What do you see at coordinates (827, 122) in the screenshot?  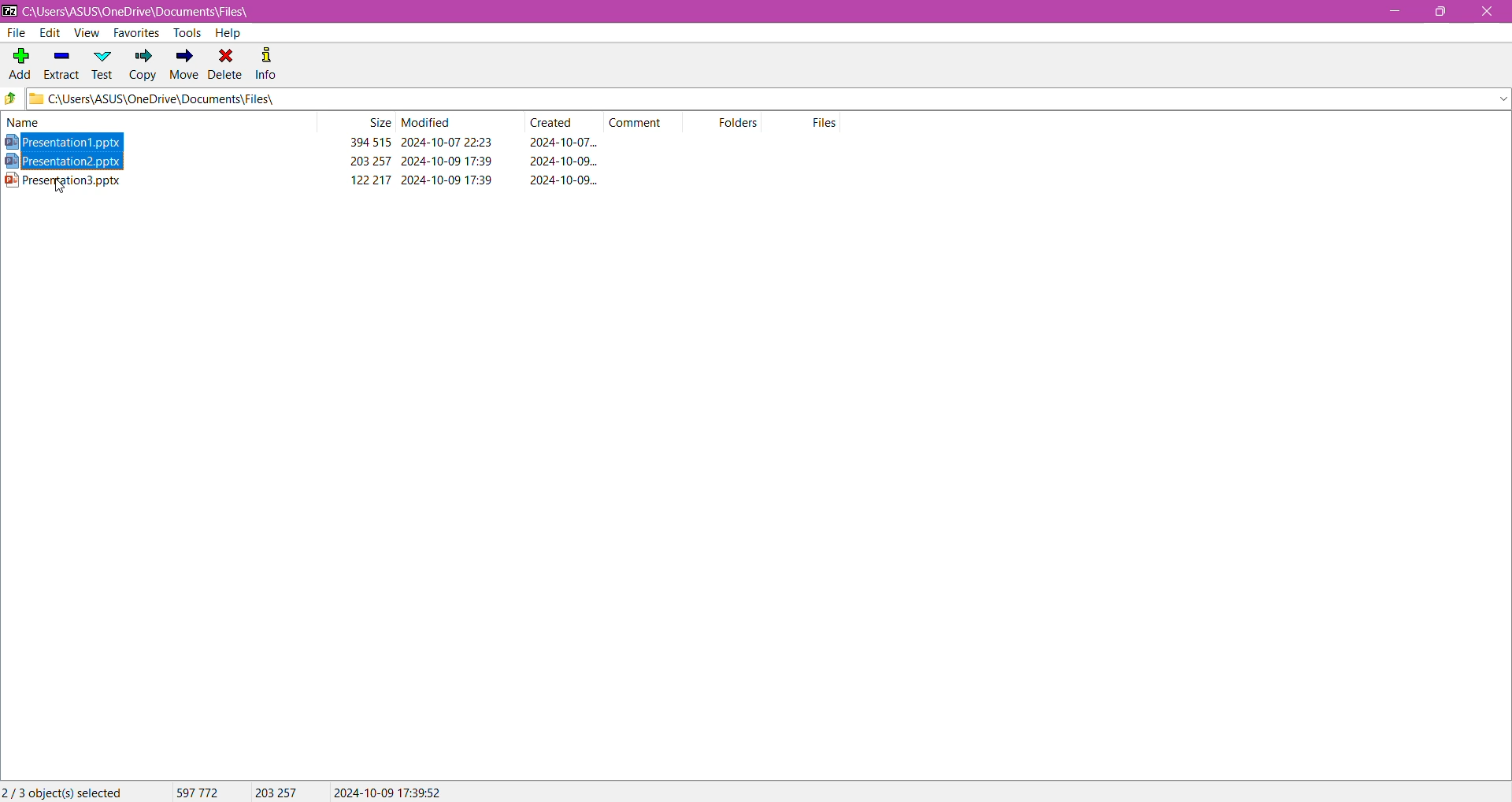 I see `Files` at bounding box center [827, 122].